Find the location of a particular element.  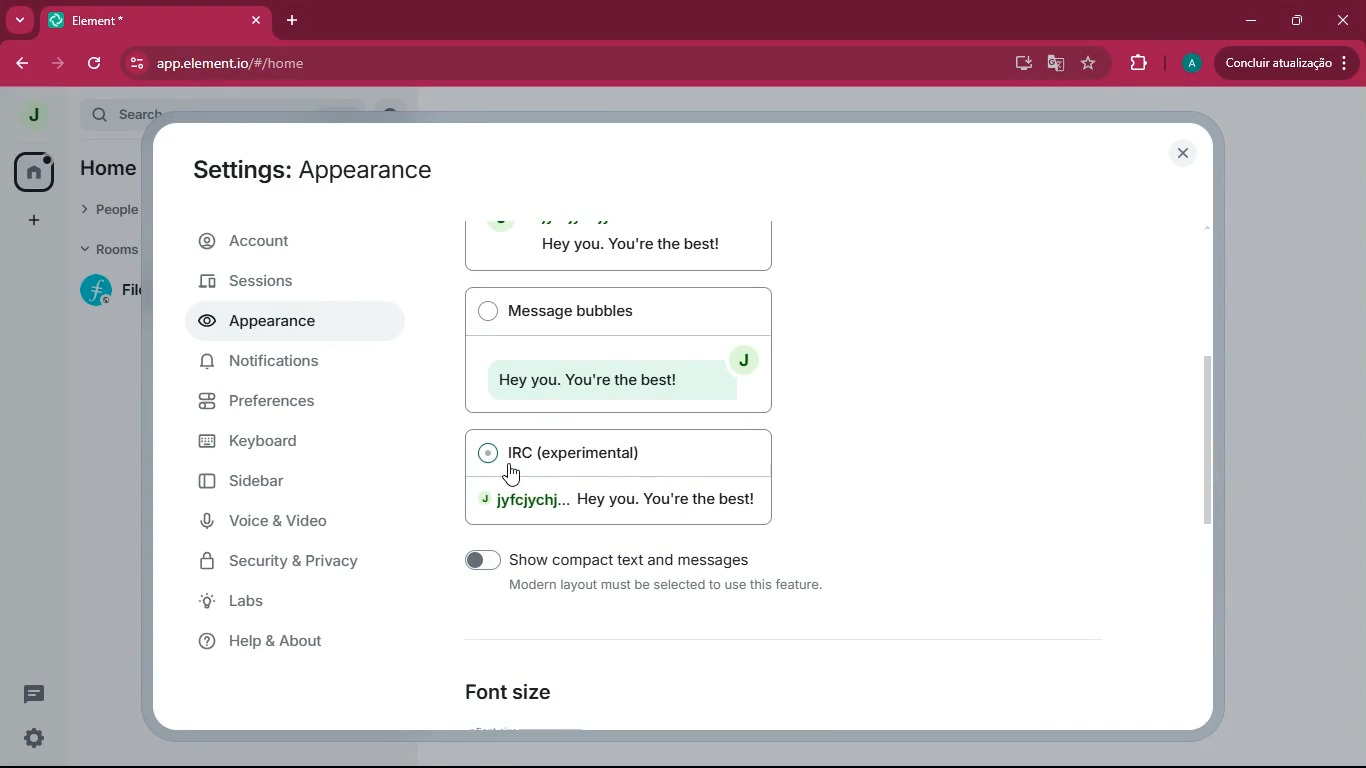

account is located at coordinates (286, 243).